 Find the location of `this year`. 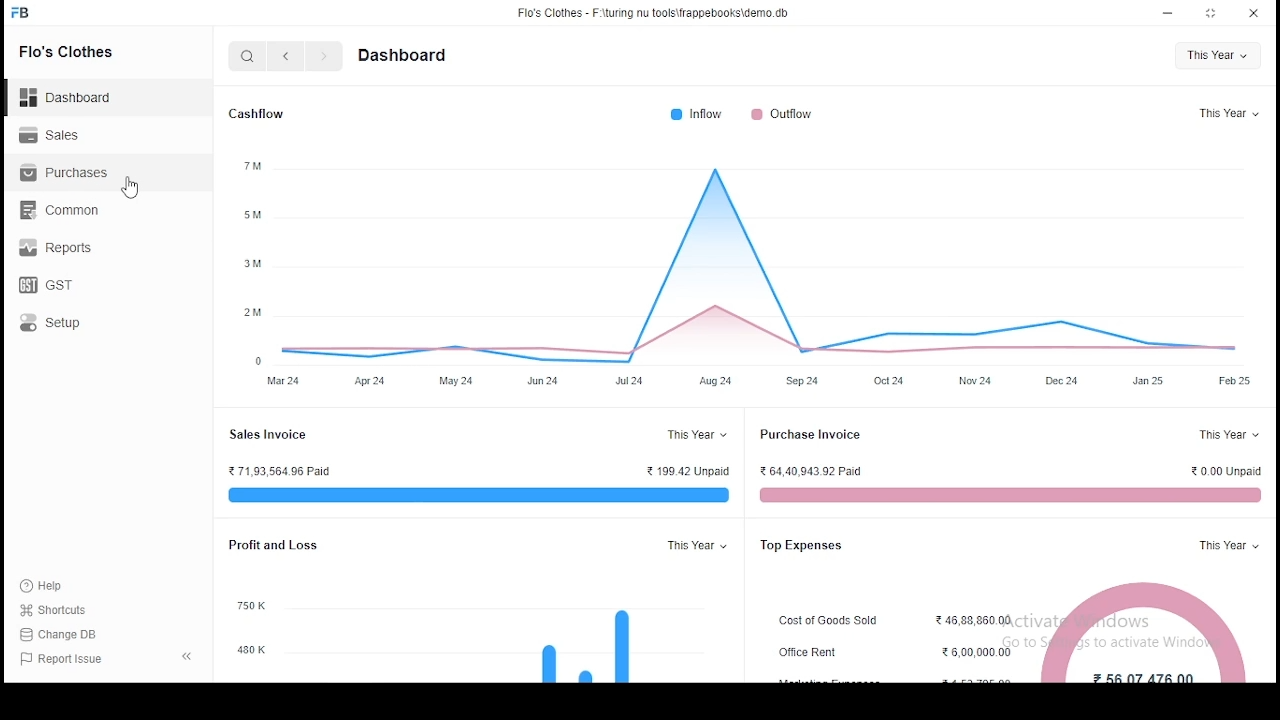

this year is located at coordinates (1227, 434).